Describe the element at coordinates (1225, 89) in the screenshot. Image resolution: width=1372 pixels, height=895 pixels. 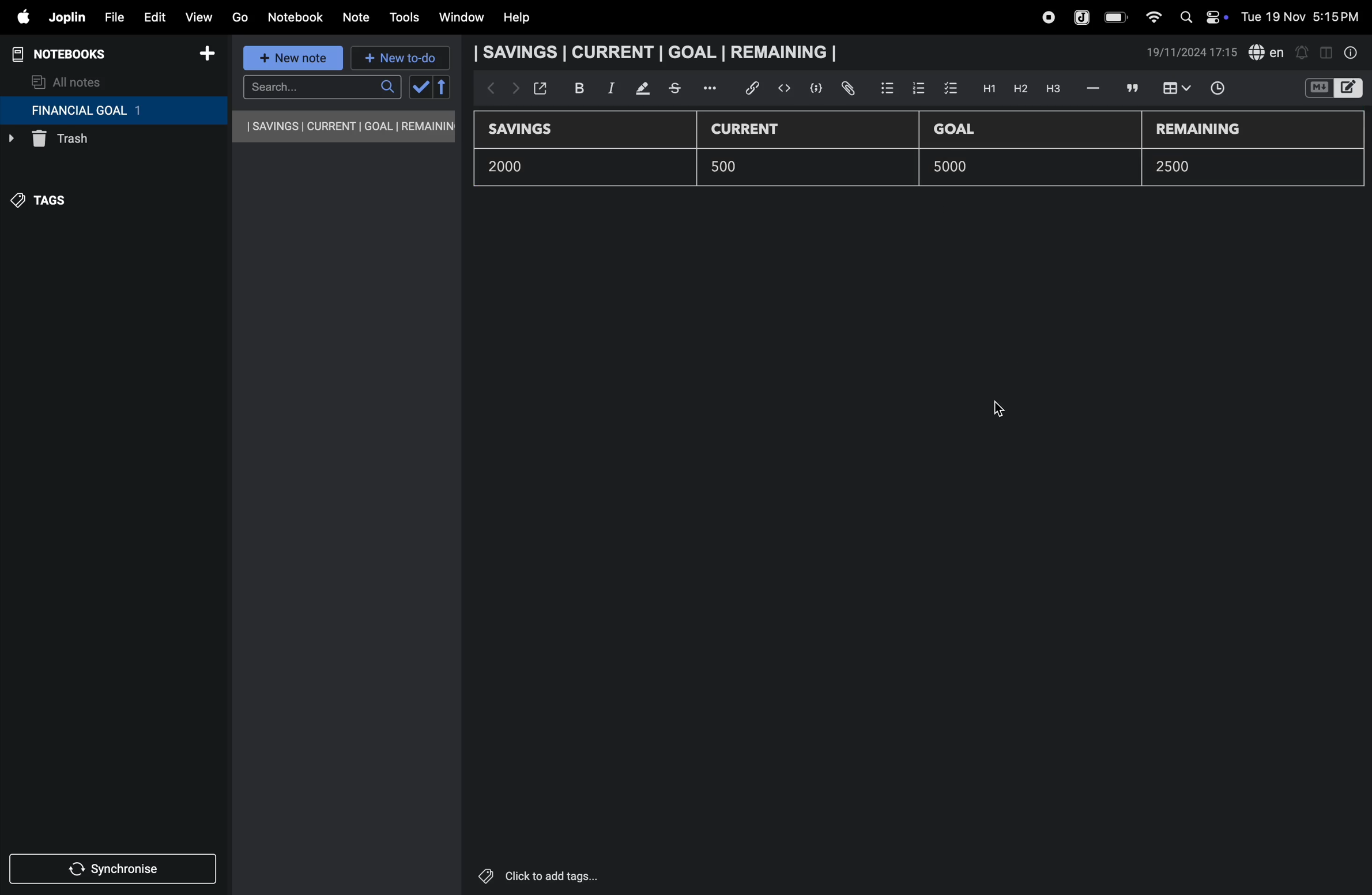
I see `time` at that location.